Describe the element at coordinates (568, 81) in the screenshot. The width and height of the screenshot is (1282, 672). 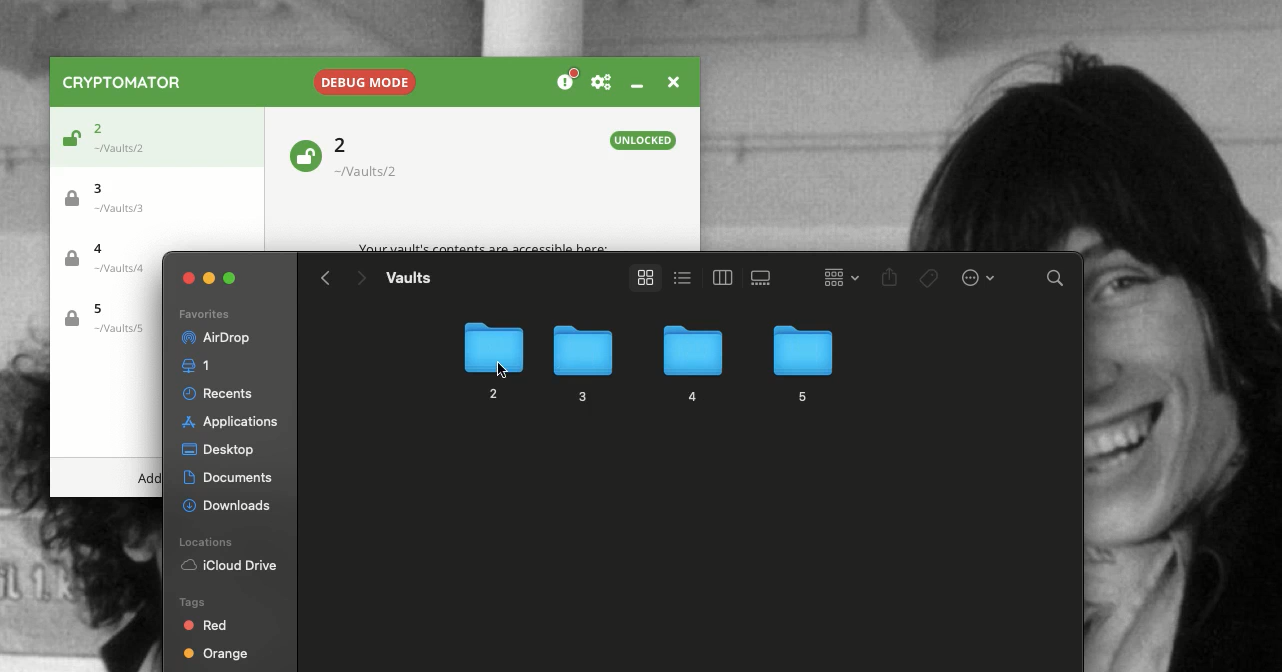
I see `Donation` at that location.